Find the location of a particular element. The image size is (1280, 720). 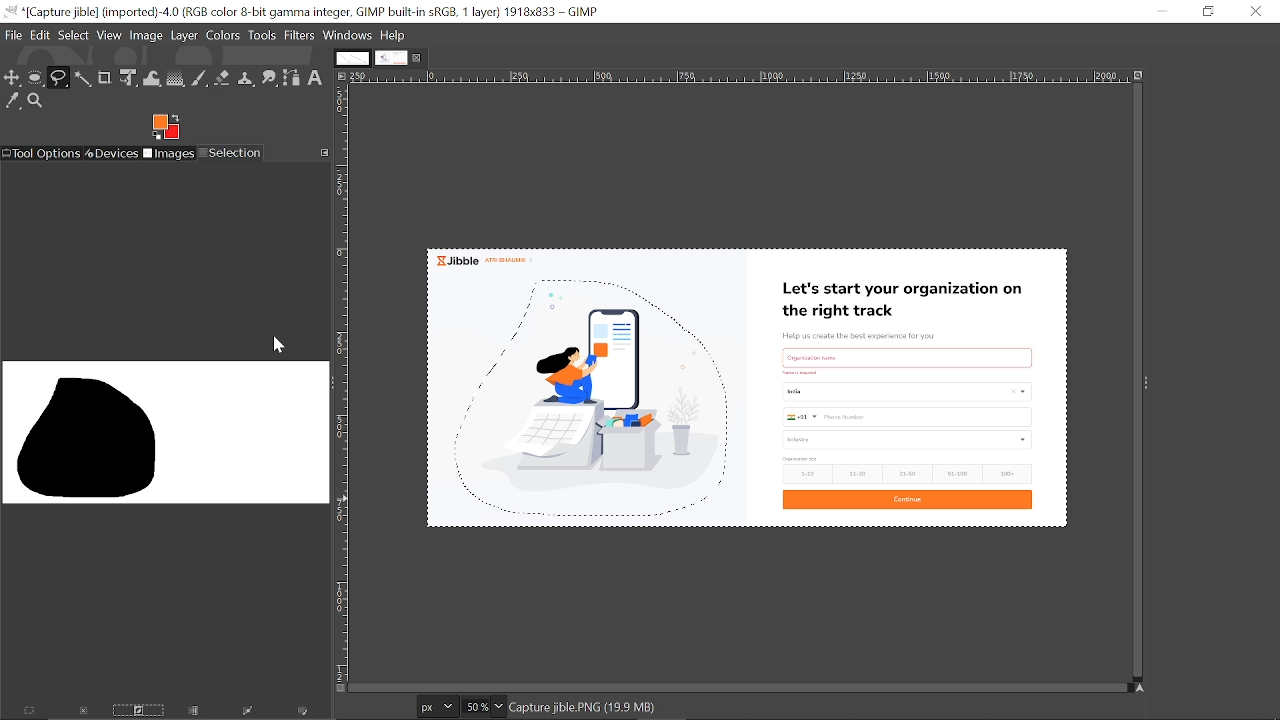

Foreground tool is located at coordinates (166, 126).